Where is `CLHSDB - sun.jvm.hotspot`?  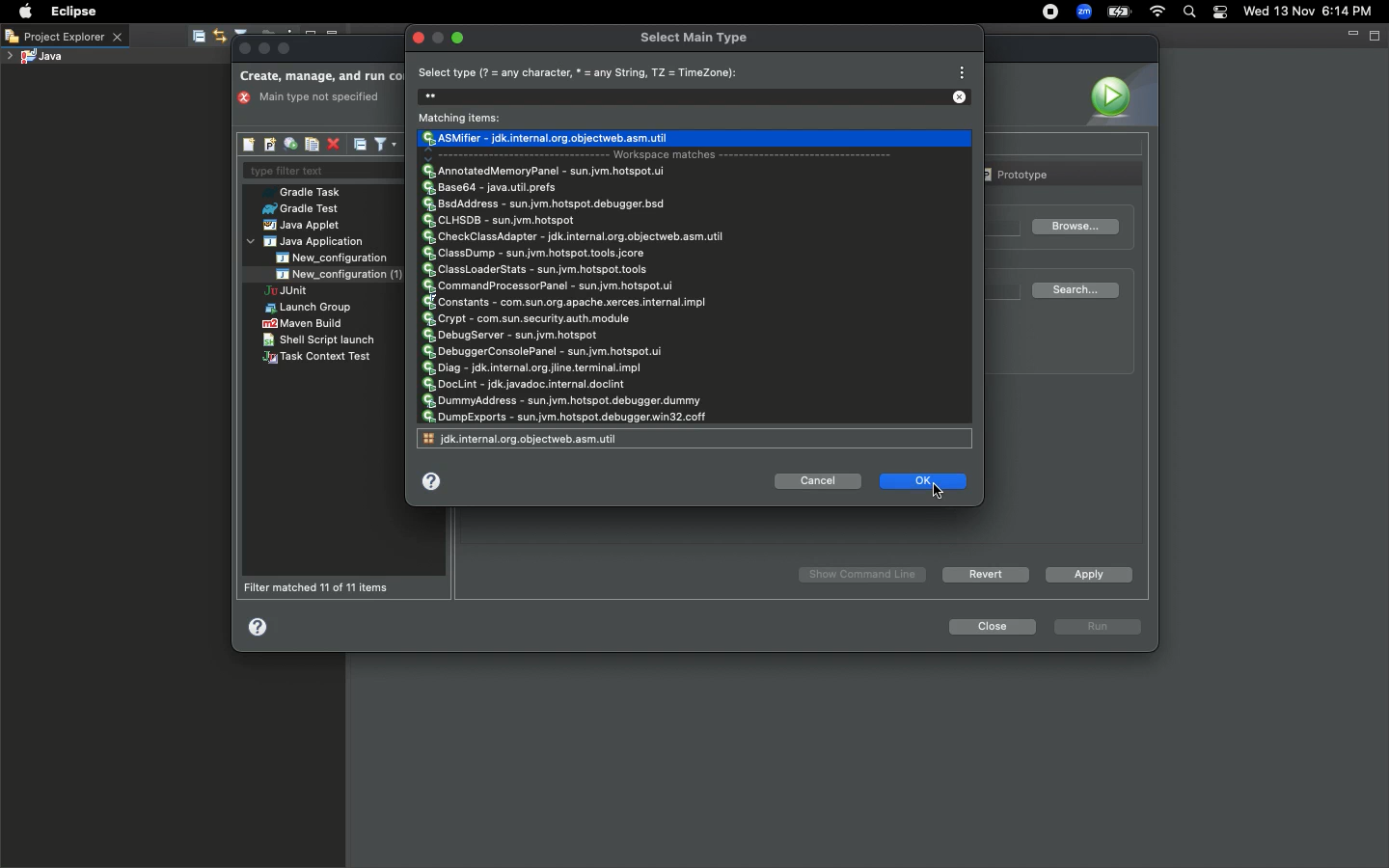 CLHSDB - sun.jvm.hotspot is located at coordinates (501, 223).